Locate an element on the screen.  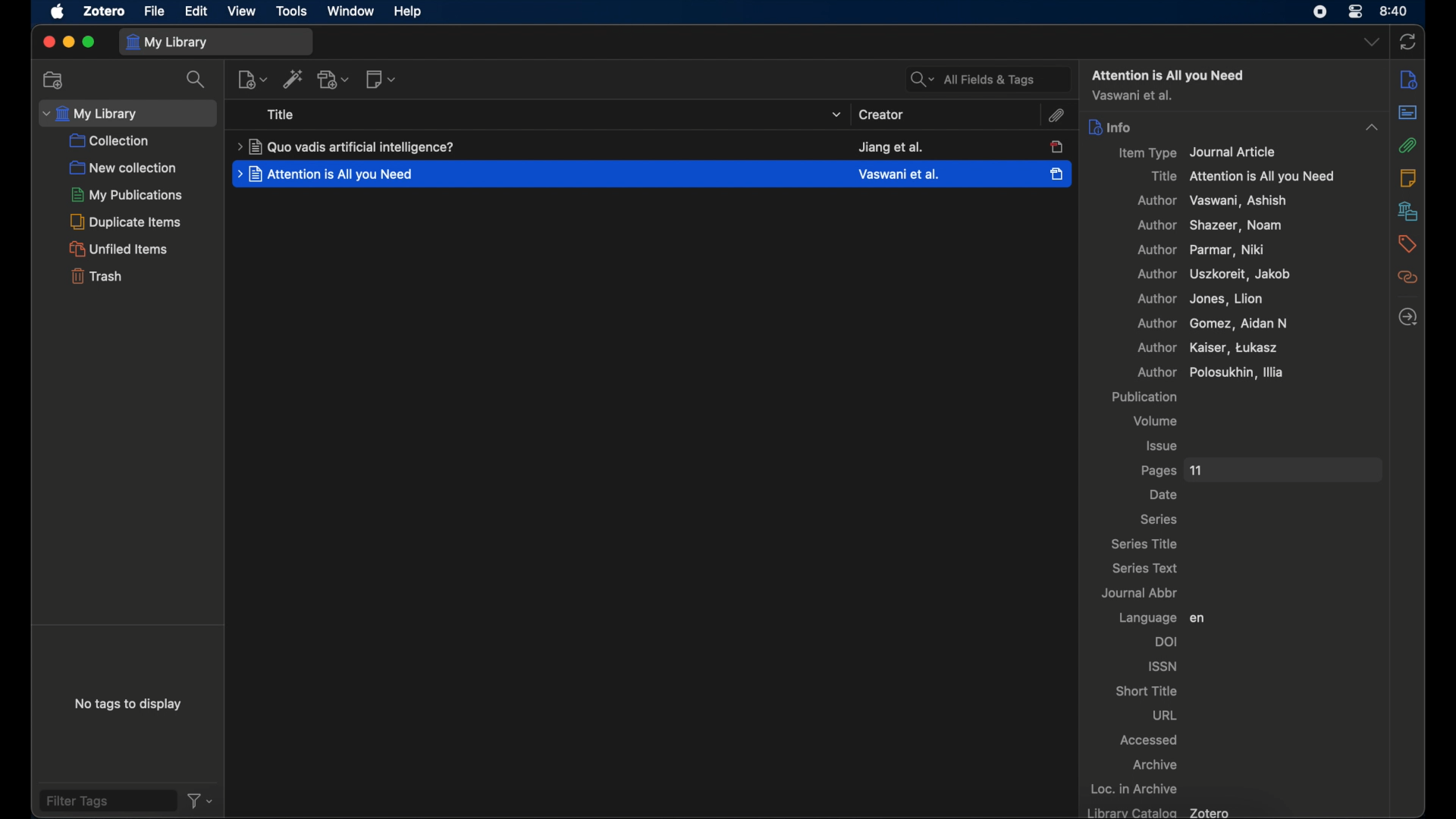
item type journal article is located at coordinates (1205, 153).